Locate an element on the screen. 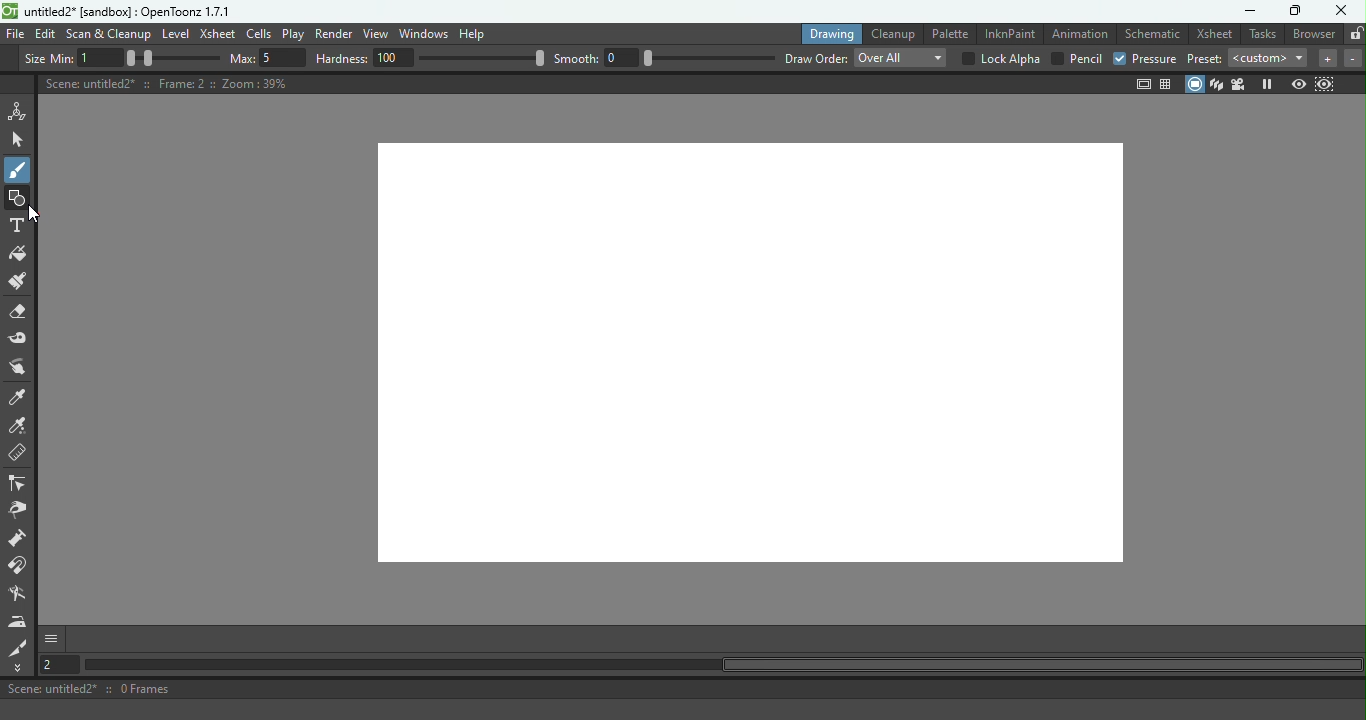 The image size is (1366, 720). Minimize is located at coordinates (1251, 11).